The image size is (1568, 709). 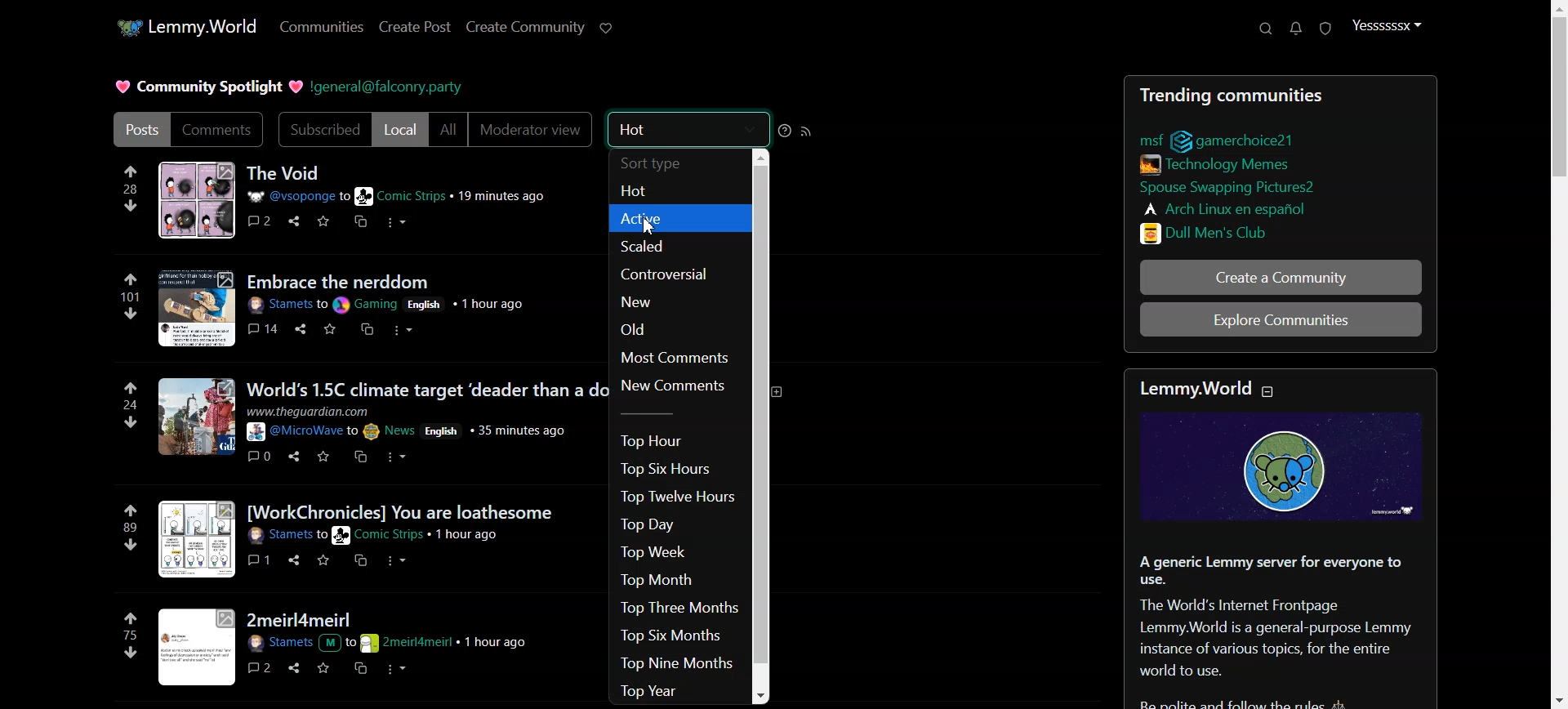 I want to click on Local, so click(x=400, y=130).